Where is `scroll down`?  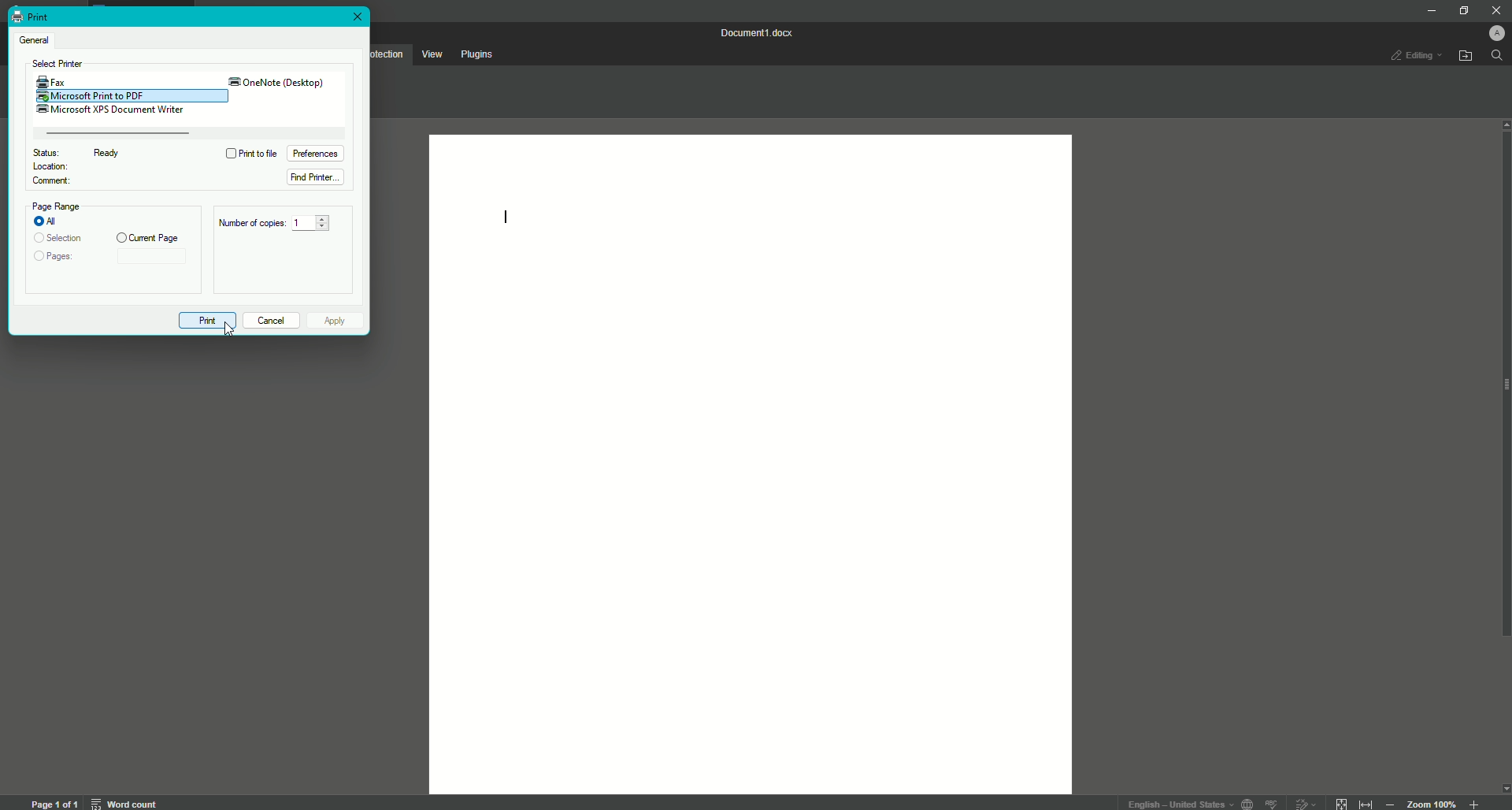
scroll down is located at coordinates (1503, 788).